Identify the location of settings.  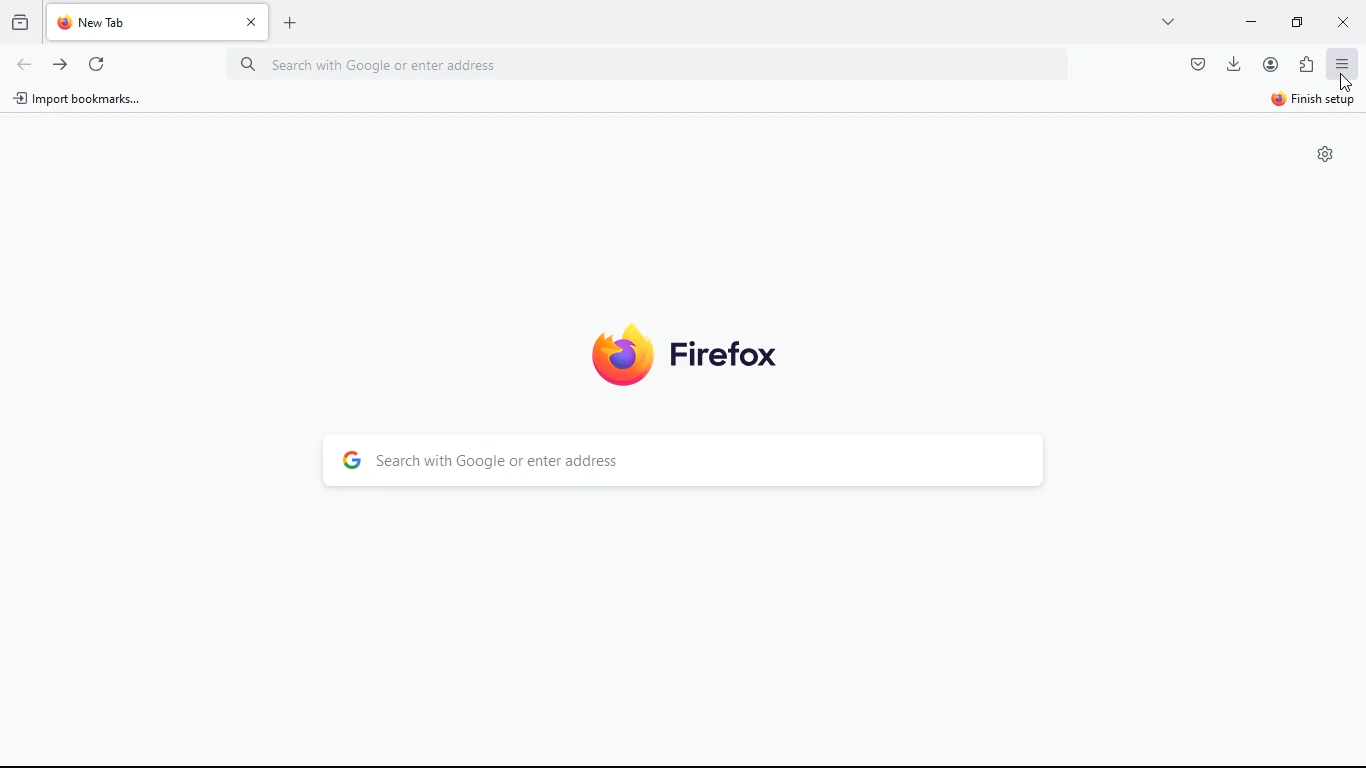
(1328, 154).